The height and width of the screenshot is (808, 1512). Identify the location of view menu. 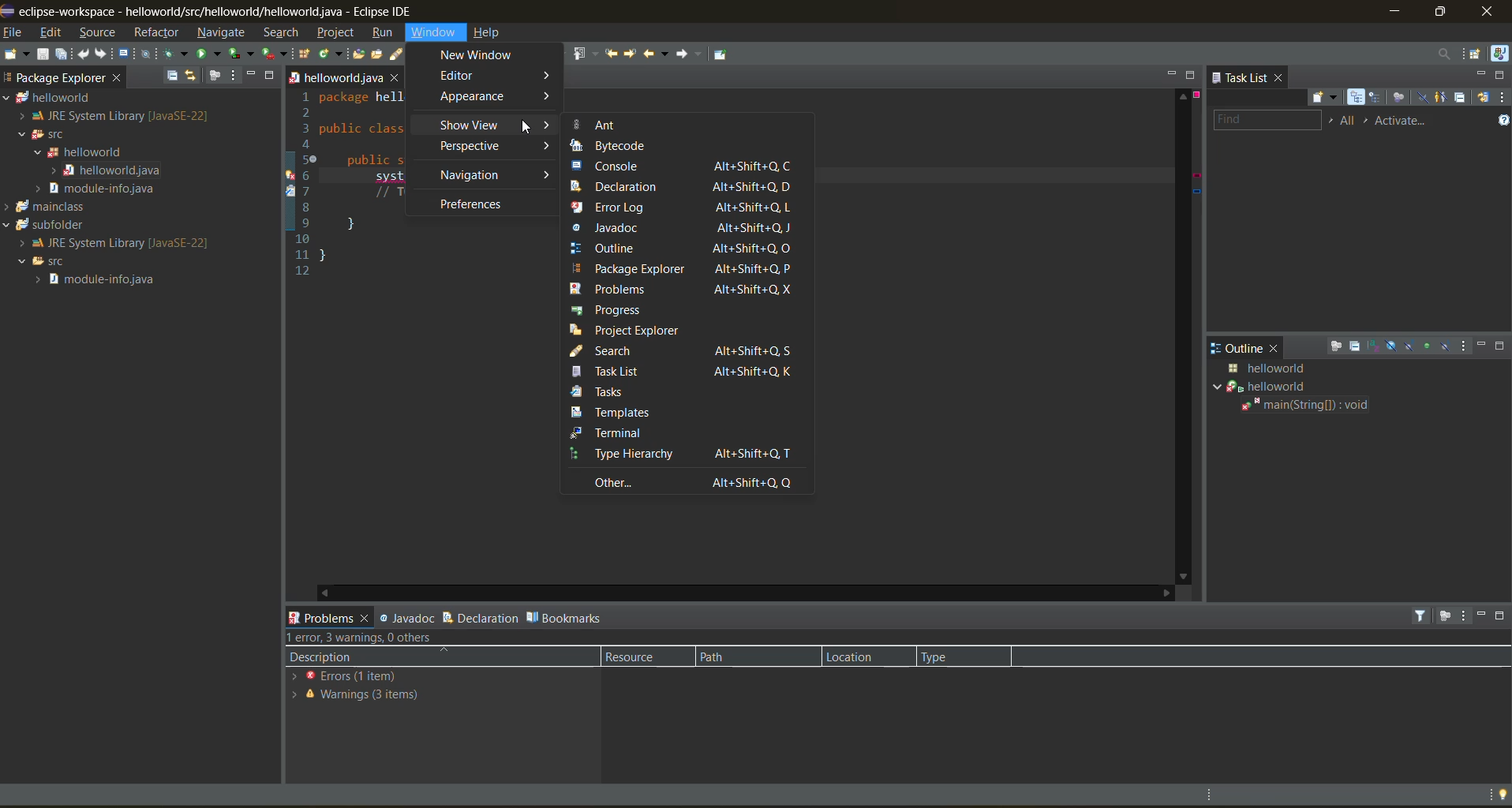
(1465, 346).